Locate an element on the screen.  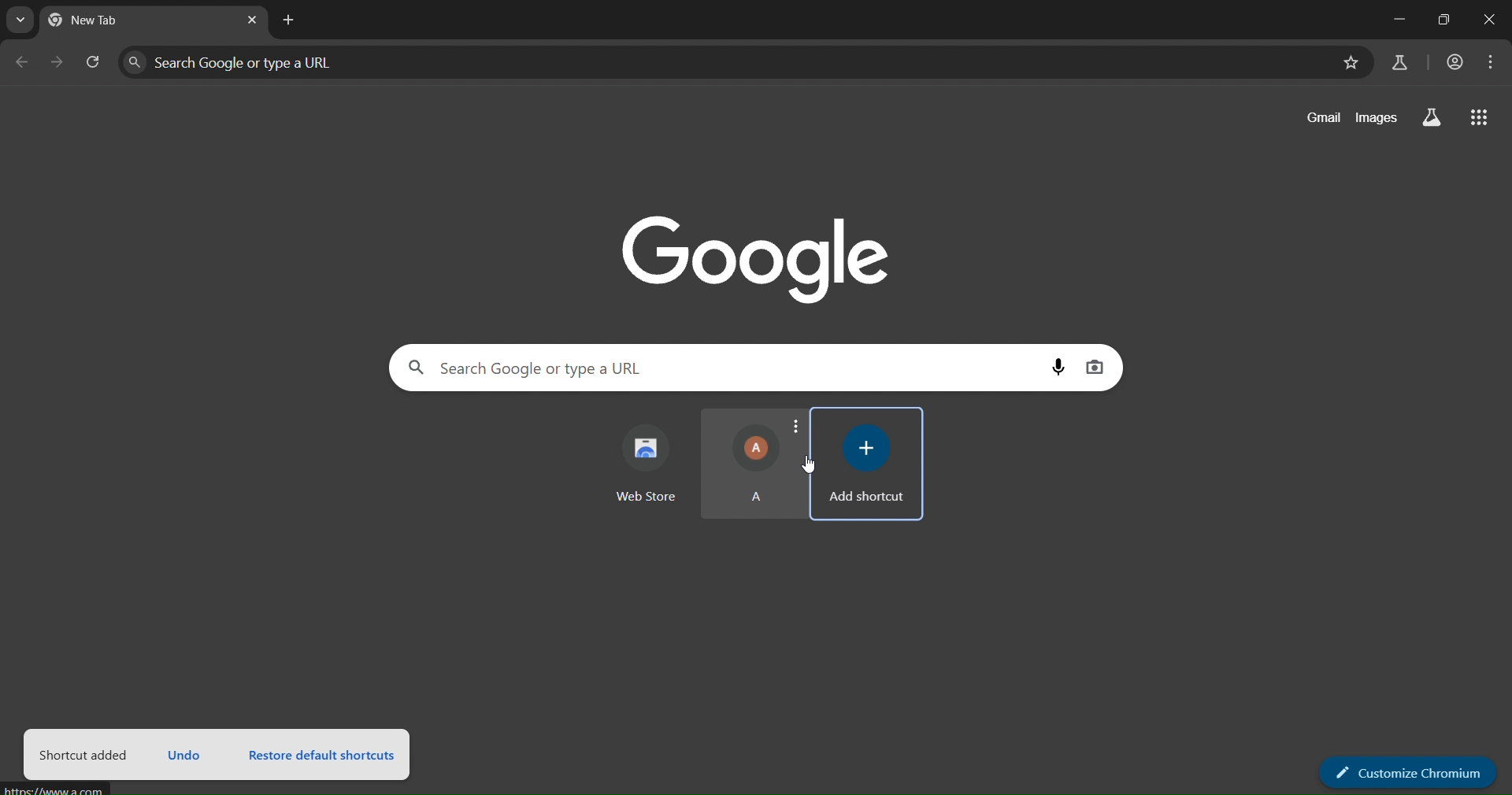
restore default shortcuts is located at coordinates (324, 752).